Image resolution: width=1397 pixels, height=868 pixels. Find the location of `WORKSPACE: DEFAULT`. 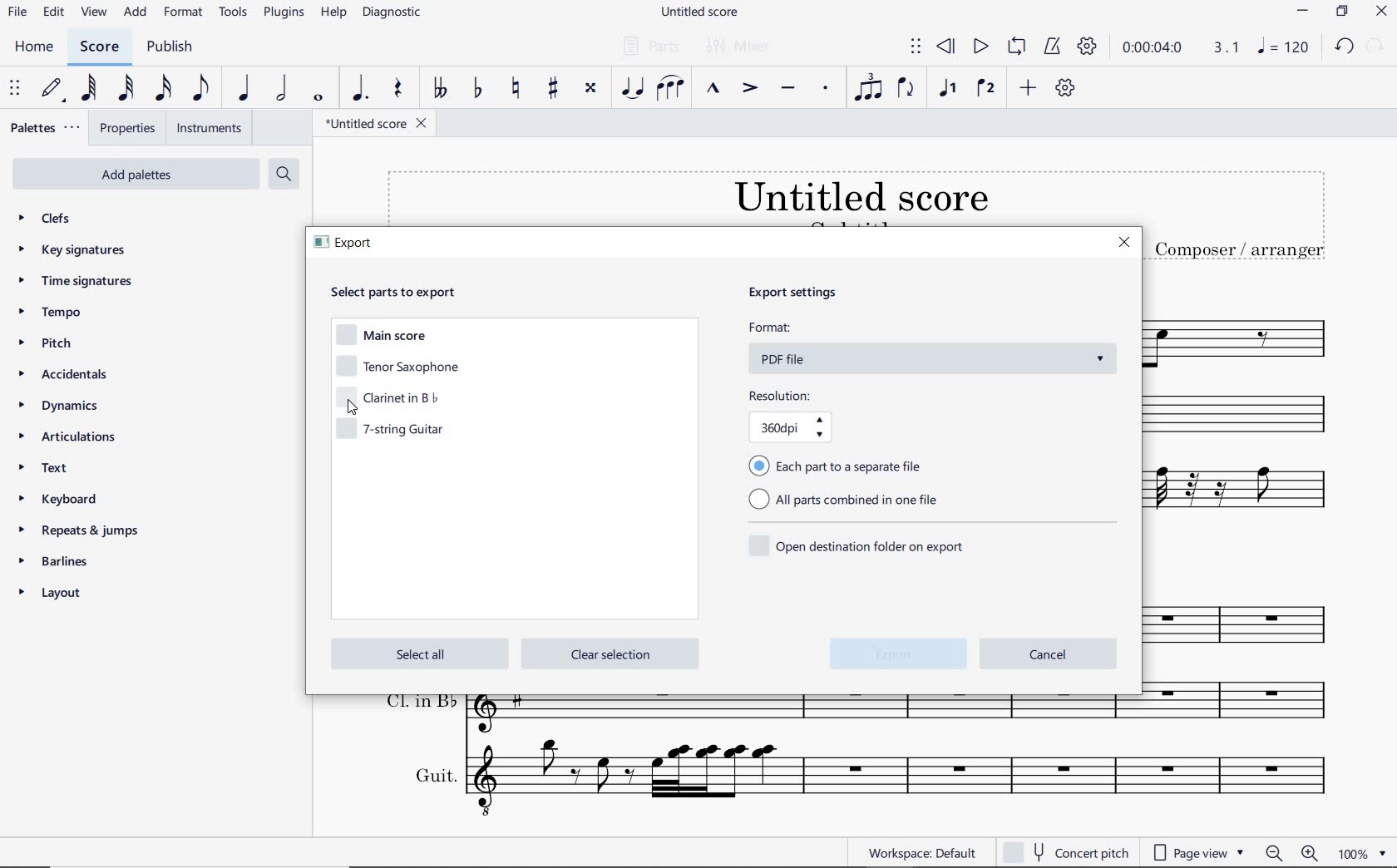

WORKSPACE: DEFAULT is located at coordinates (903, 852).